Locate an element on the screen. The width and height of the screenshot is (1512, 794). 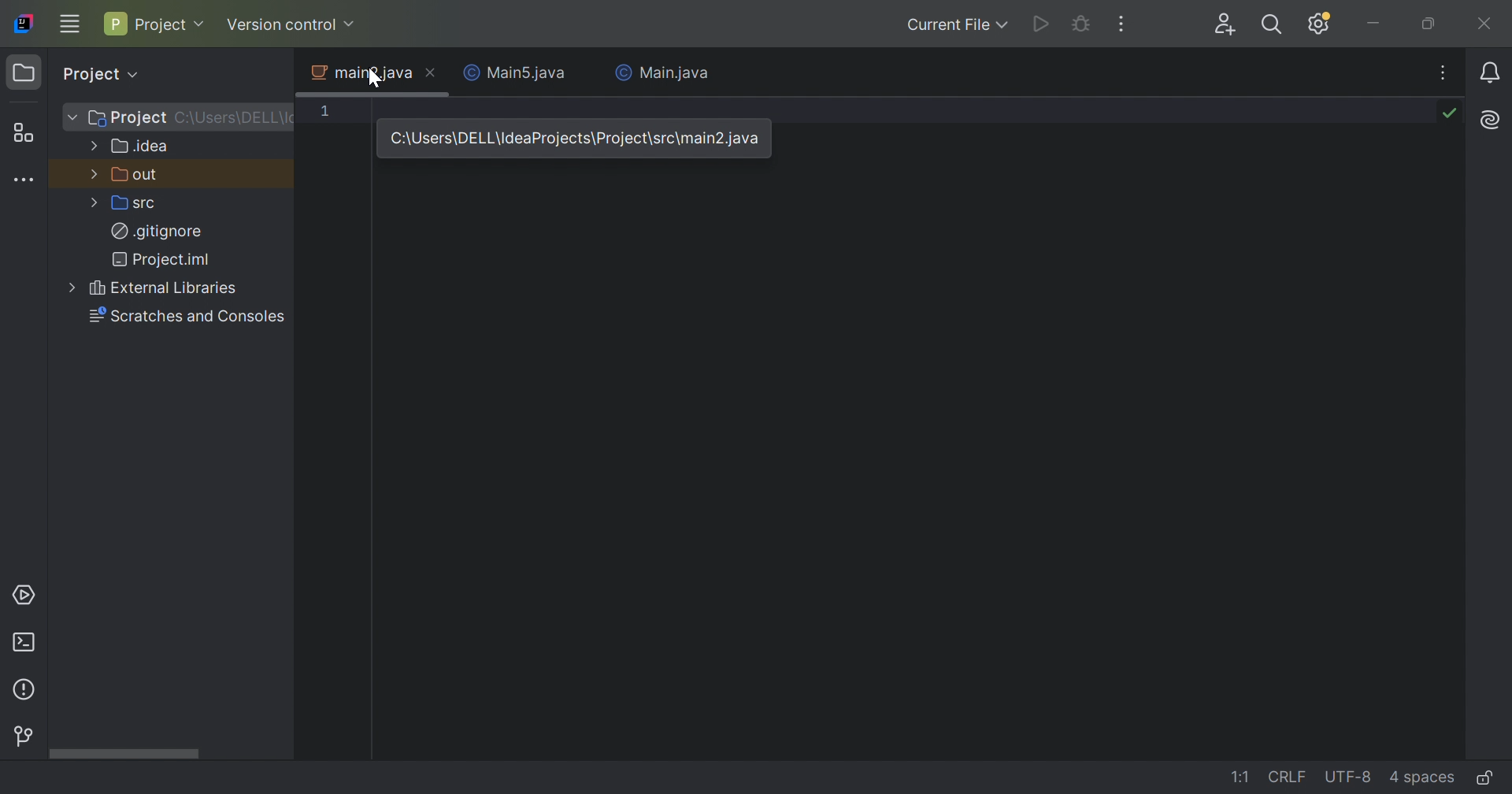
IntelliJ IDEA icon is located at coordinates (23, 21).